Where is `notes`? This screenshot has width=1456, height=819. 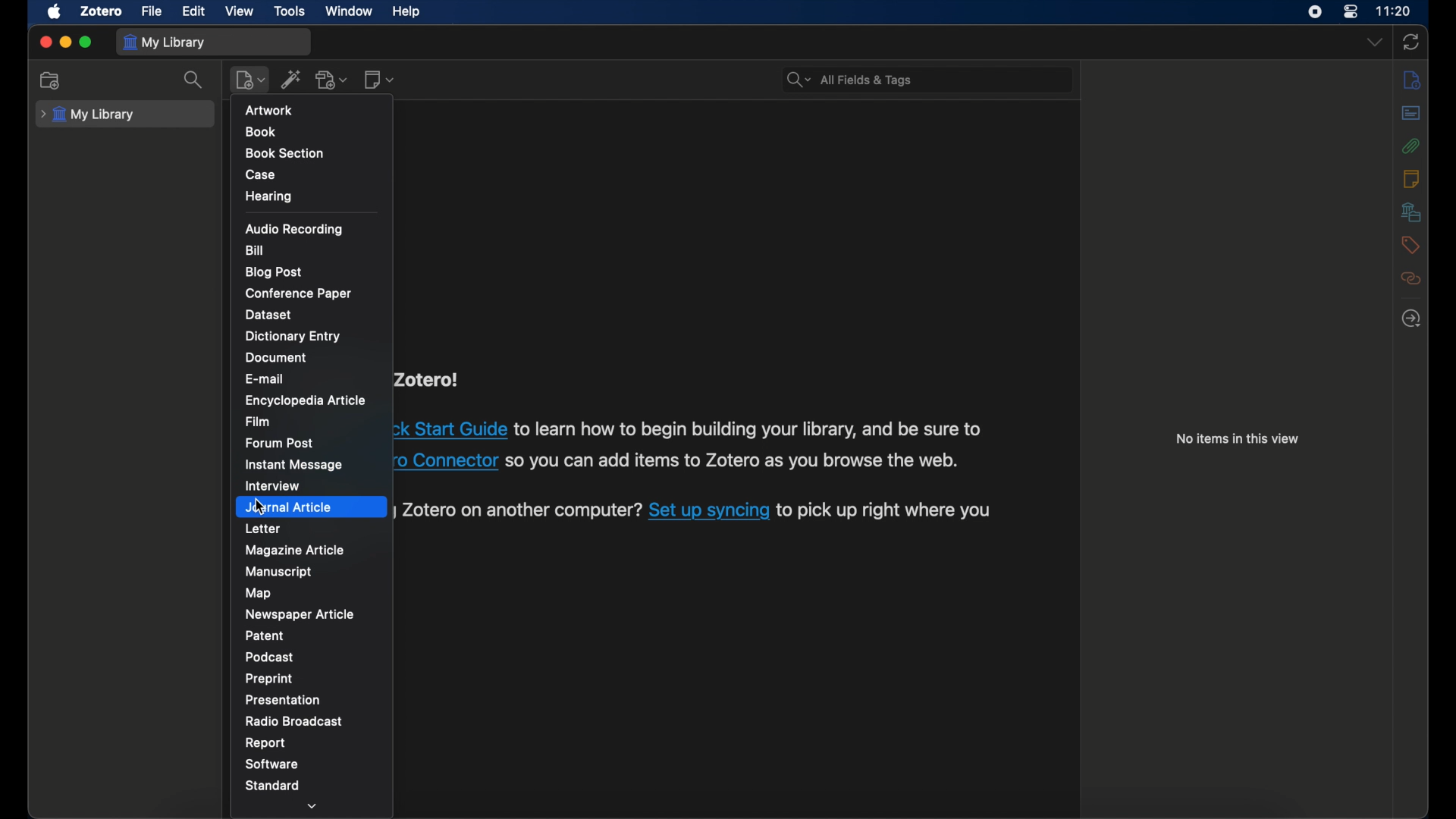 notes is located at coordinates (1410, 178).